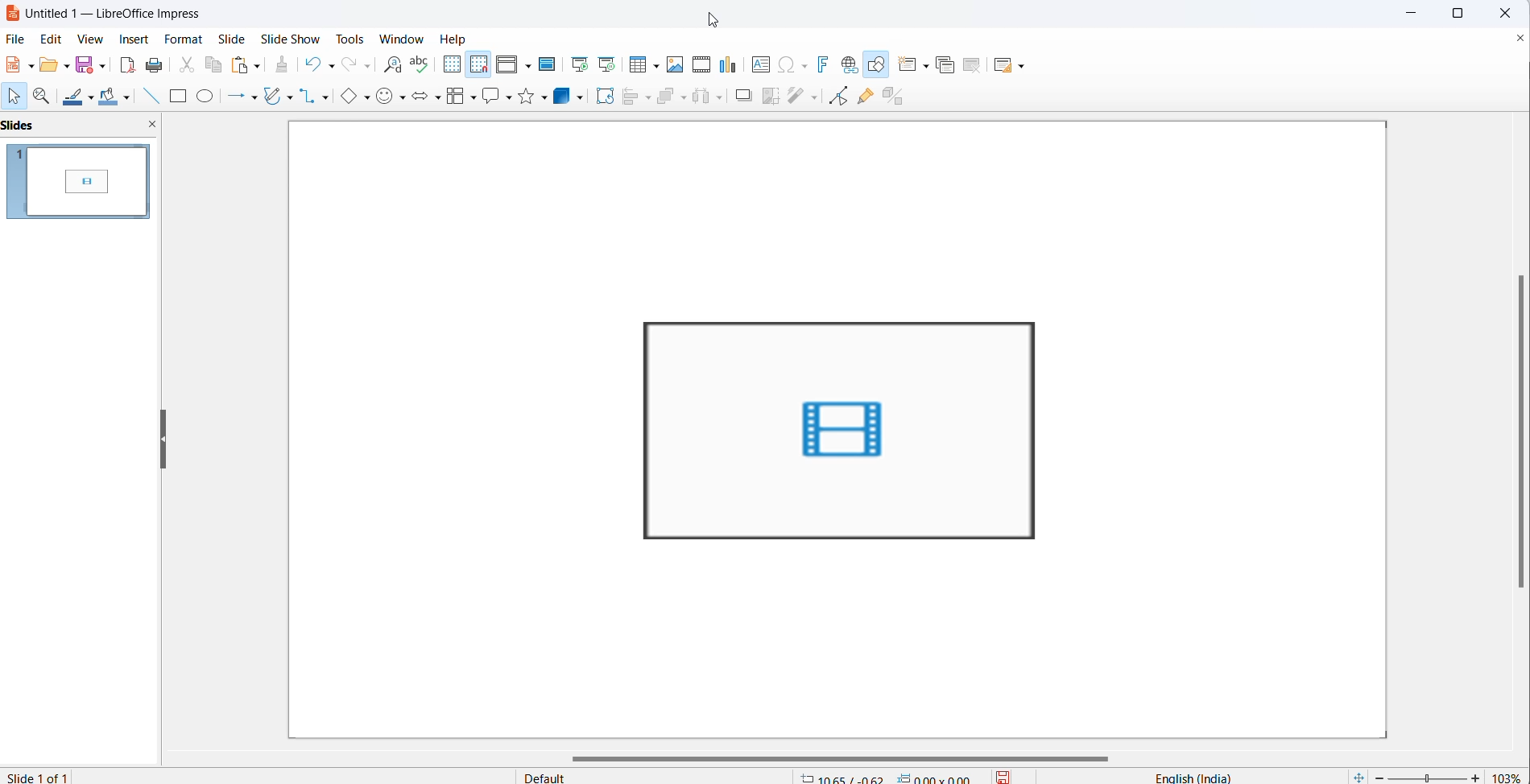 This screenshot has height=784, width=1530. I want to click on new file options, so click(31, 64).